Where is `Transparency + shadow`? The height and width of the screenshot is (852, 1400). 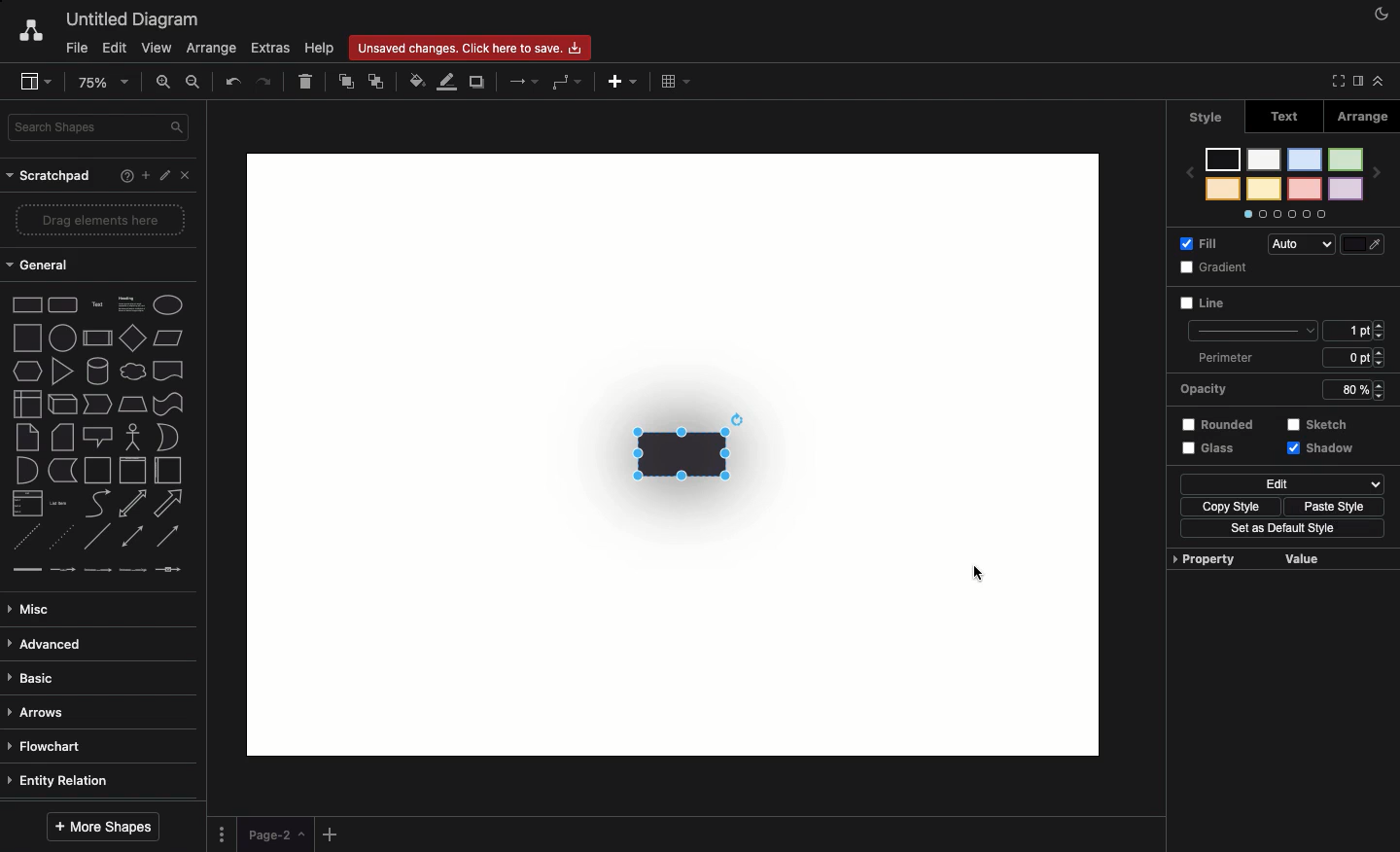
Transparency + shadow is located at coordinates (693, 446).